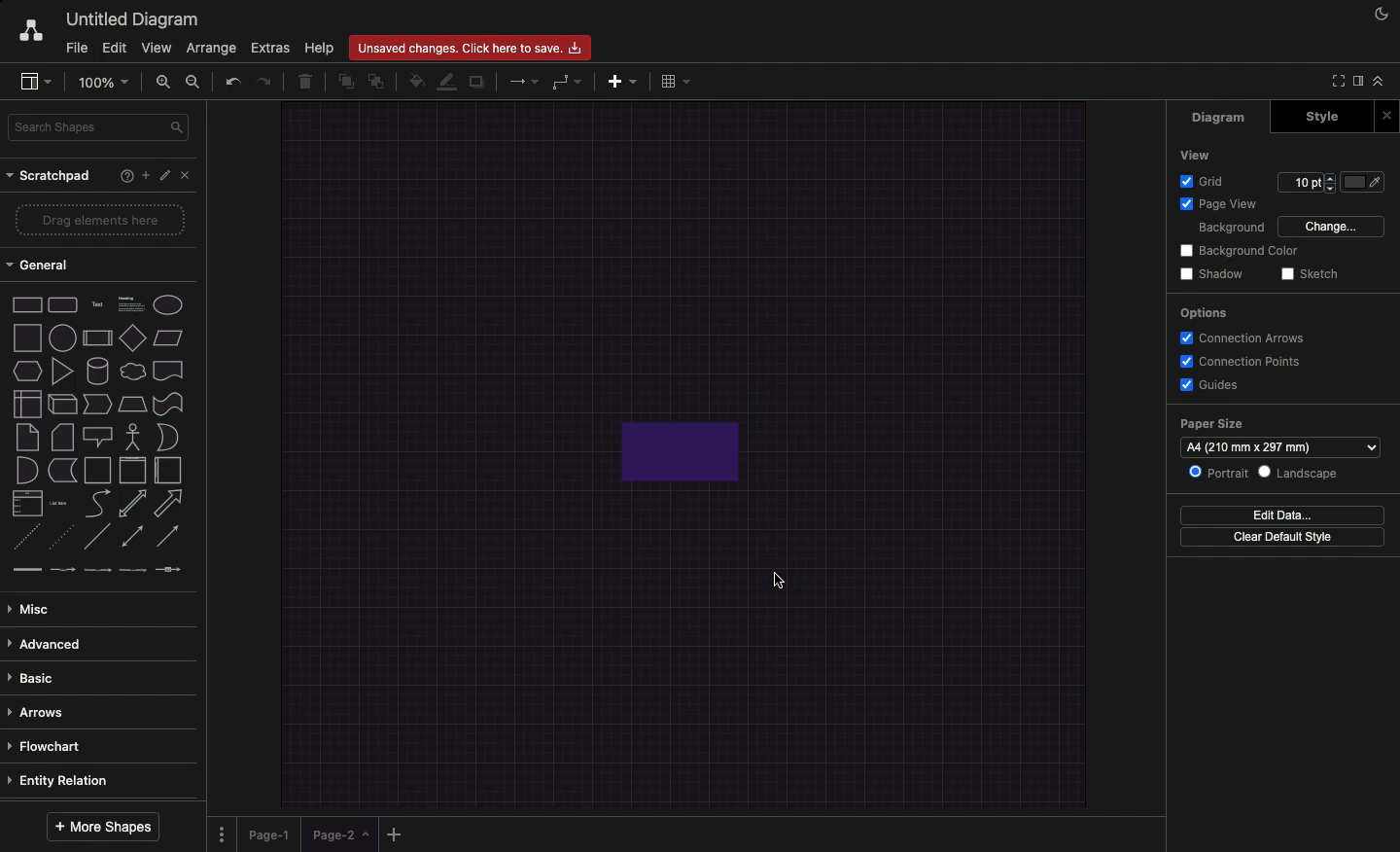  What do you see at coordinates (1205, 180) in the screenshot?
I see `Grid` at bounding box center [1205, 180].